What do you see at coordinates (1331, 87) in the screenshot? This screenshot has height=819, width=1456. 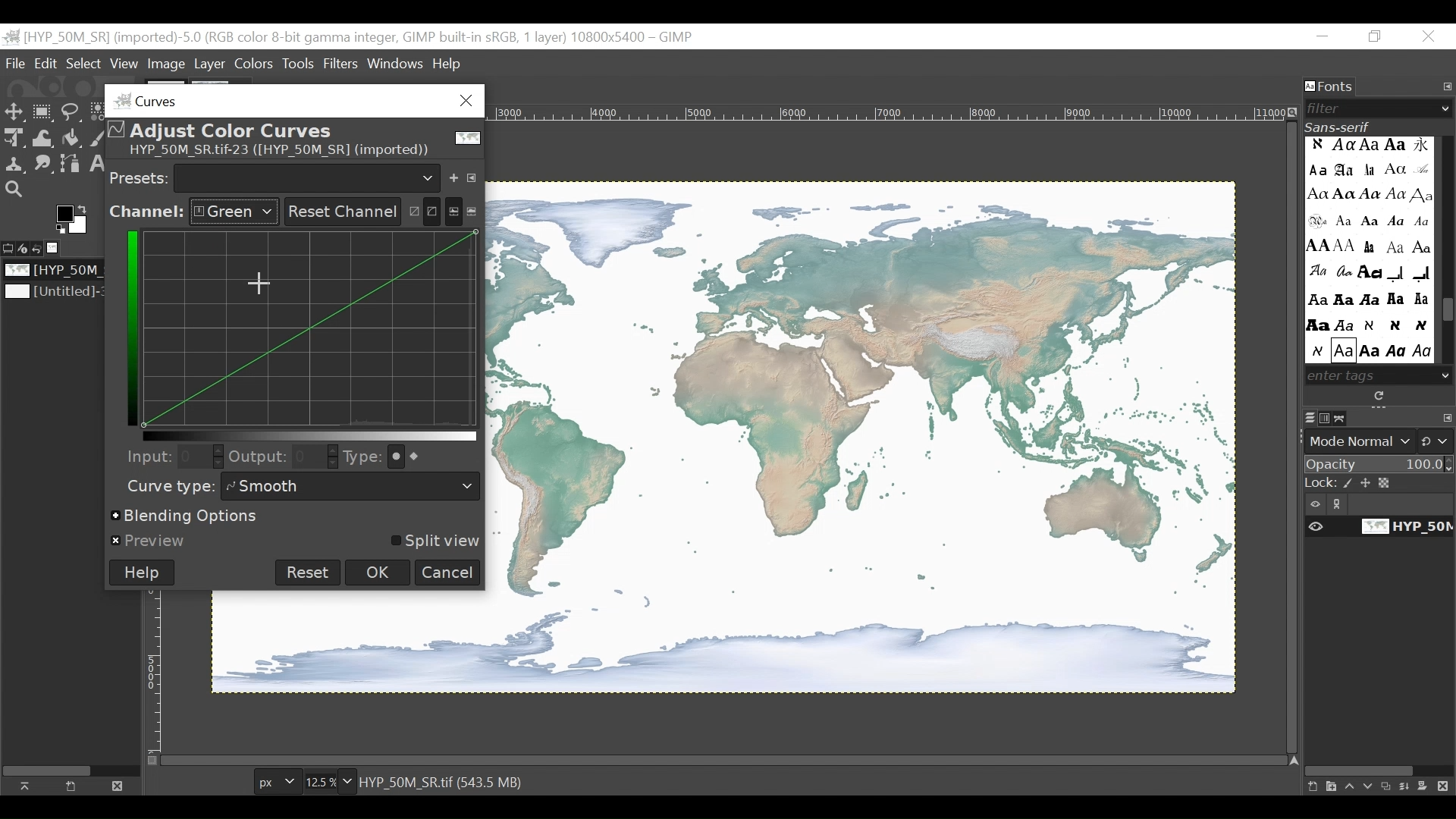 I see `Fonts` at bounding box center [1331, 87].